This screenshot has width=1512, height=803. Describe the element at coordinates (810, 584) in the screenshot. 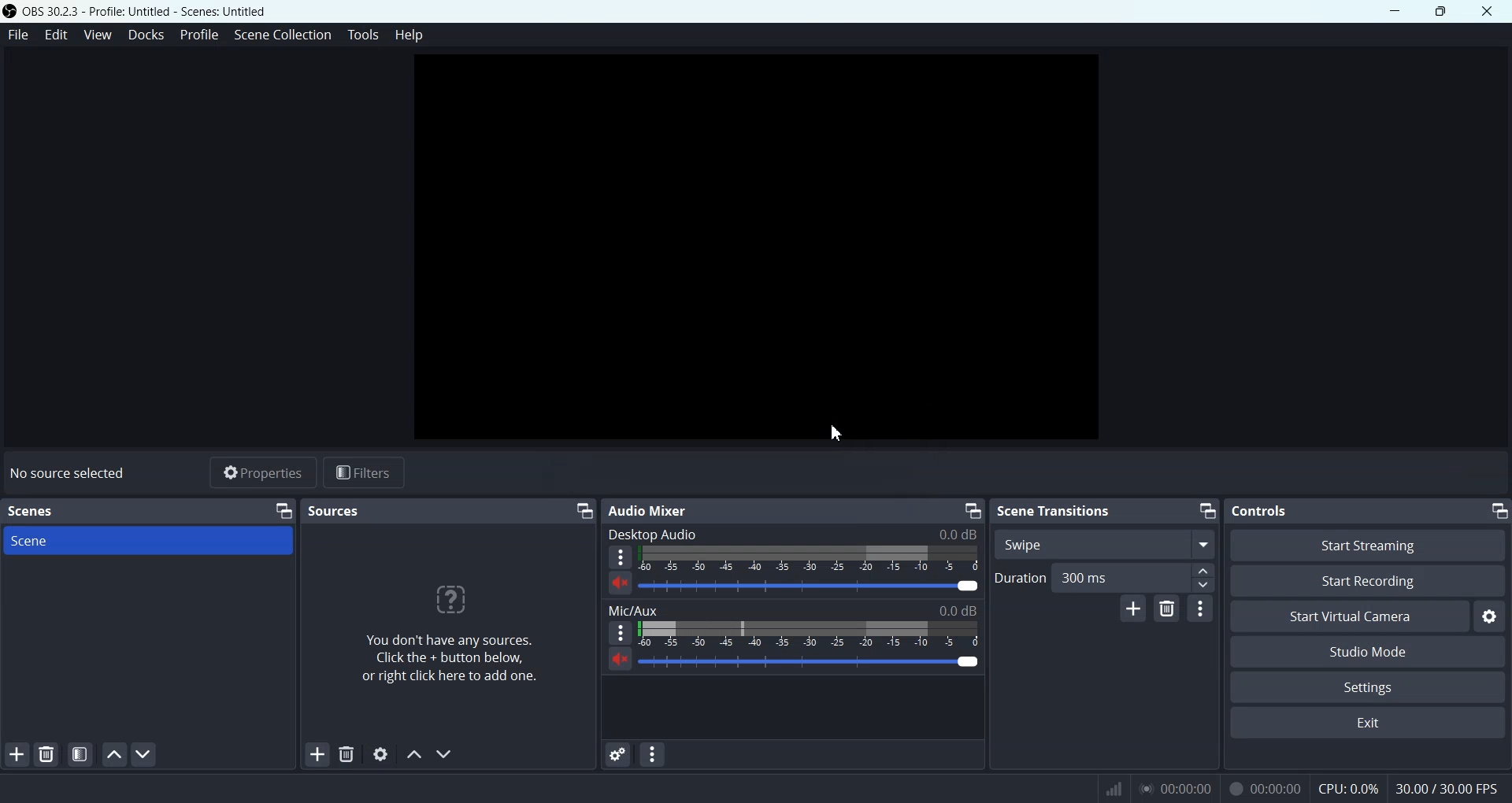

I see `Volume Adjuster` at that location.